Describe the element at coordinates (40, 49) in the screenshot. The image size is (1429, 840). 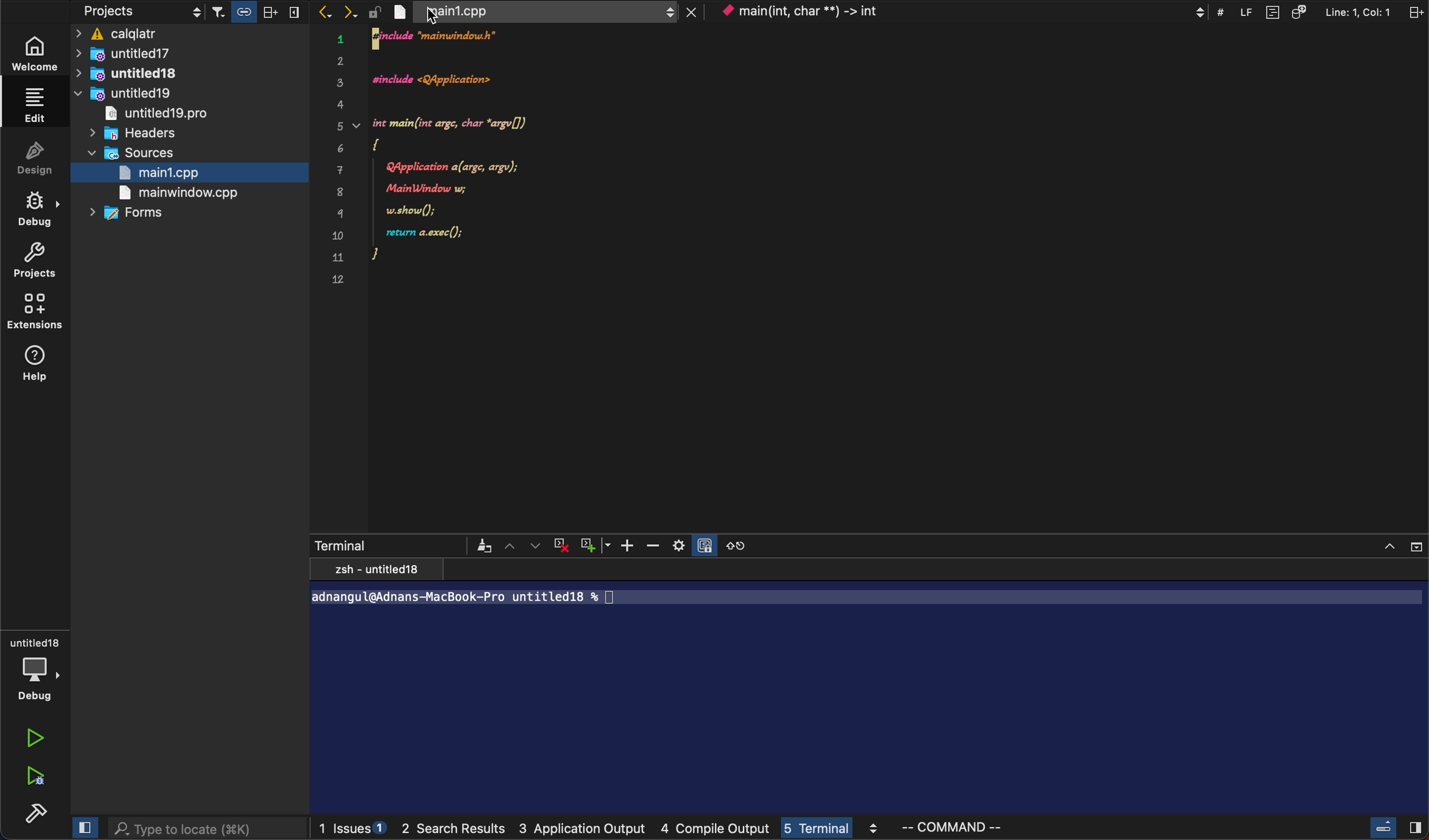
I see `welcome` at that location.